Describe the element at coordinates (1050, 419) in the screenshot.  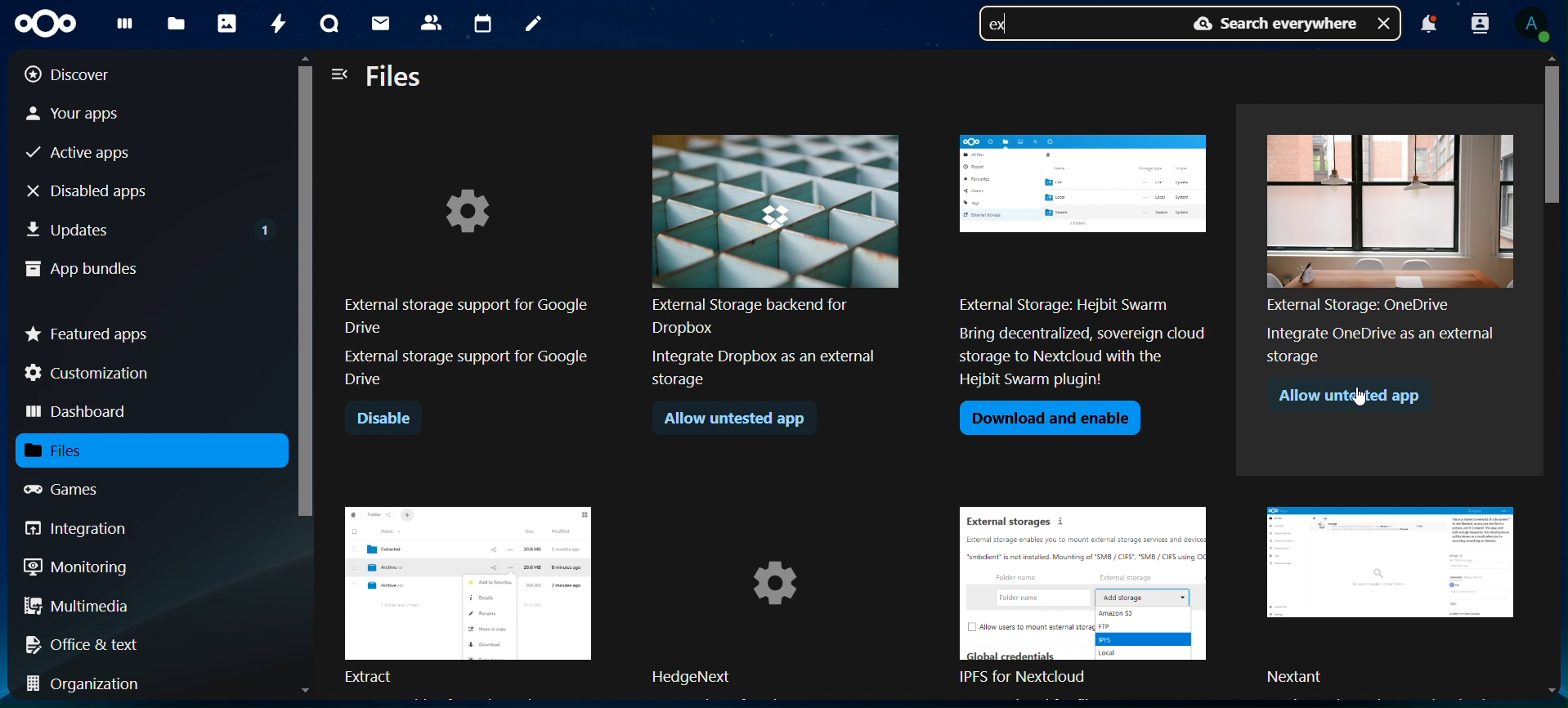
I see `download and enable` at that location.